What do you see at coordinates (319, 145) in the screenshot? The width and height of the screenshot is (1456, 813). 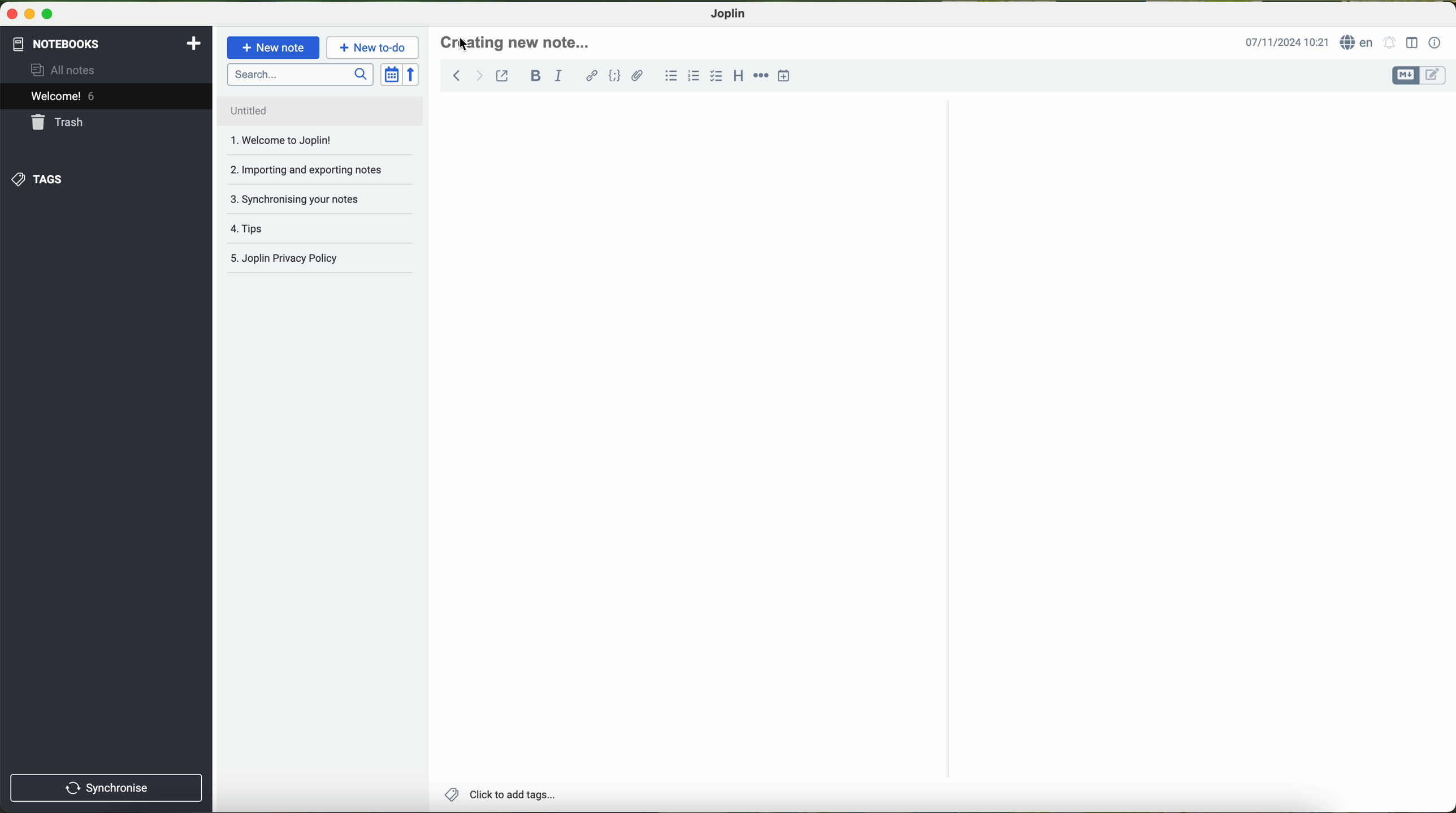 I see `welcome to Joplin` at bounding box center [319, 145].